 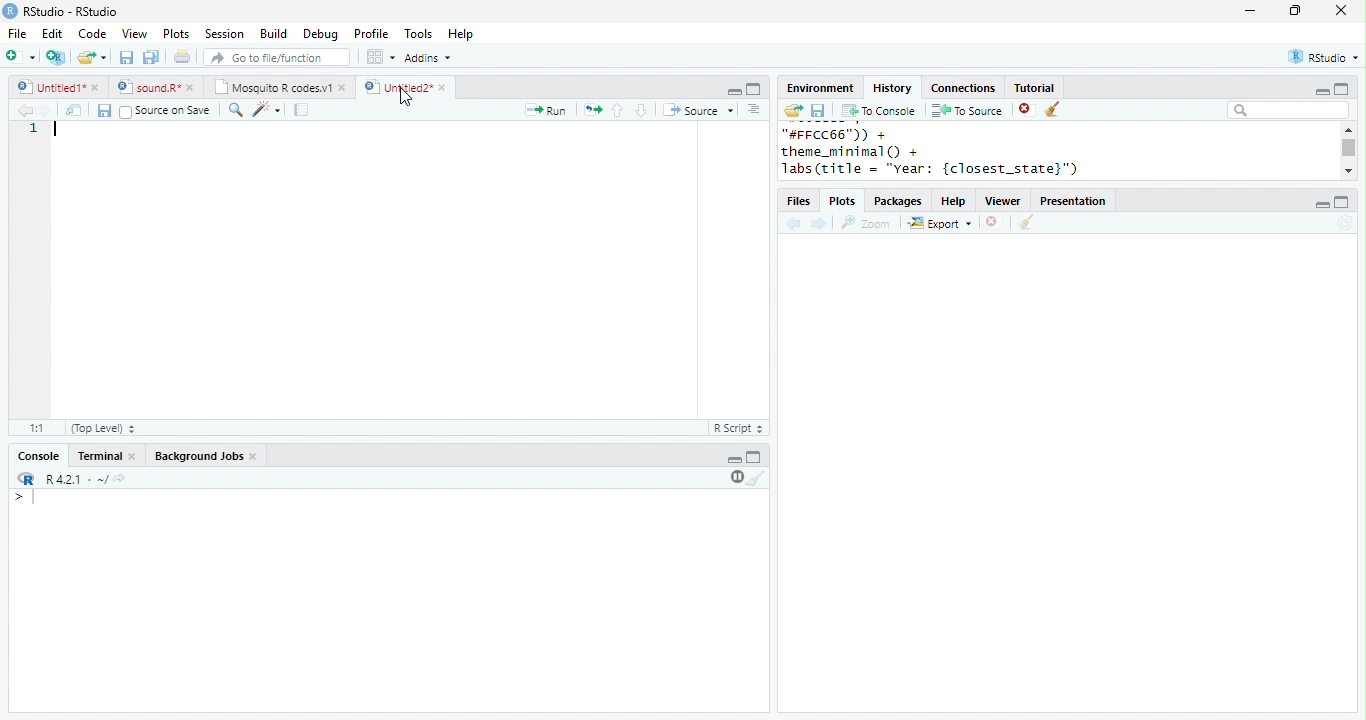 What do you see at coordinates (266, 109) in the screenshot?
I see `code tools` at bounding box center [266, 109].